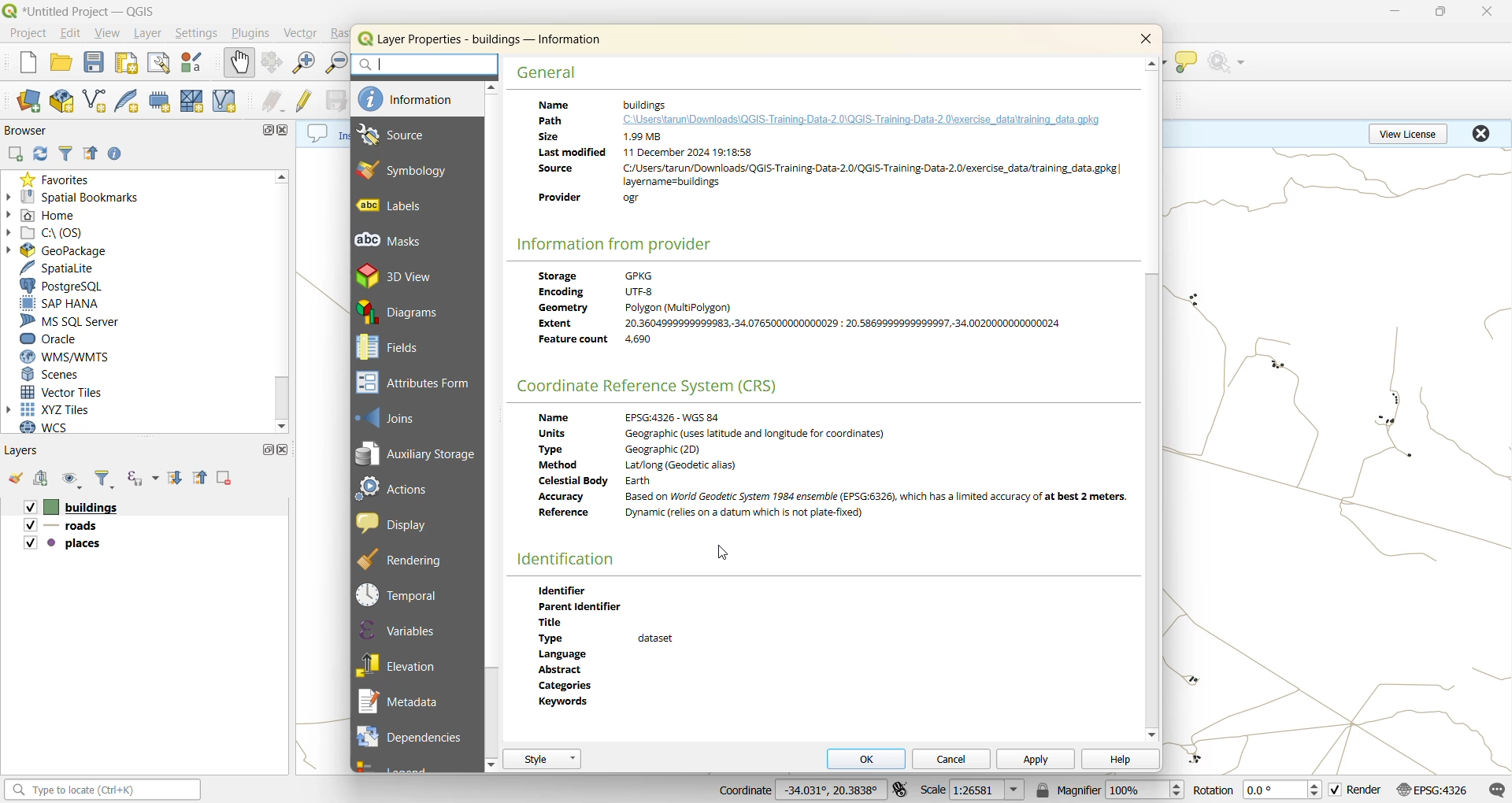  I want to click on metadata, so click(807, 313).